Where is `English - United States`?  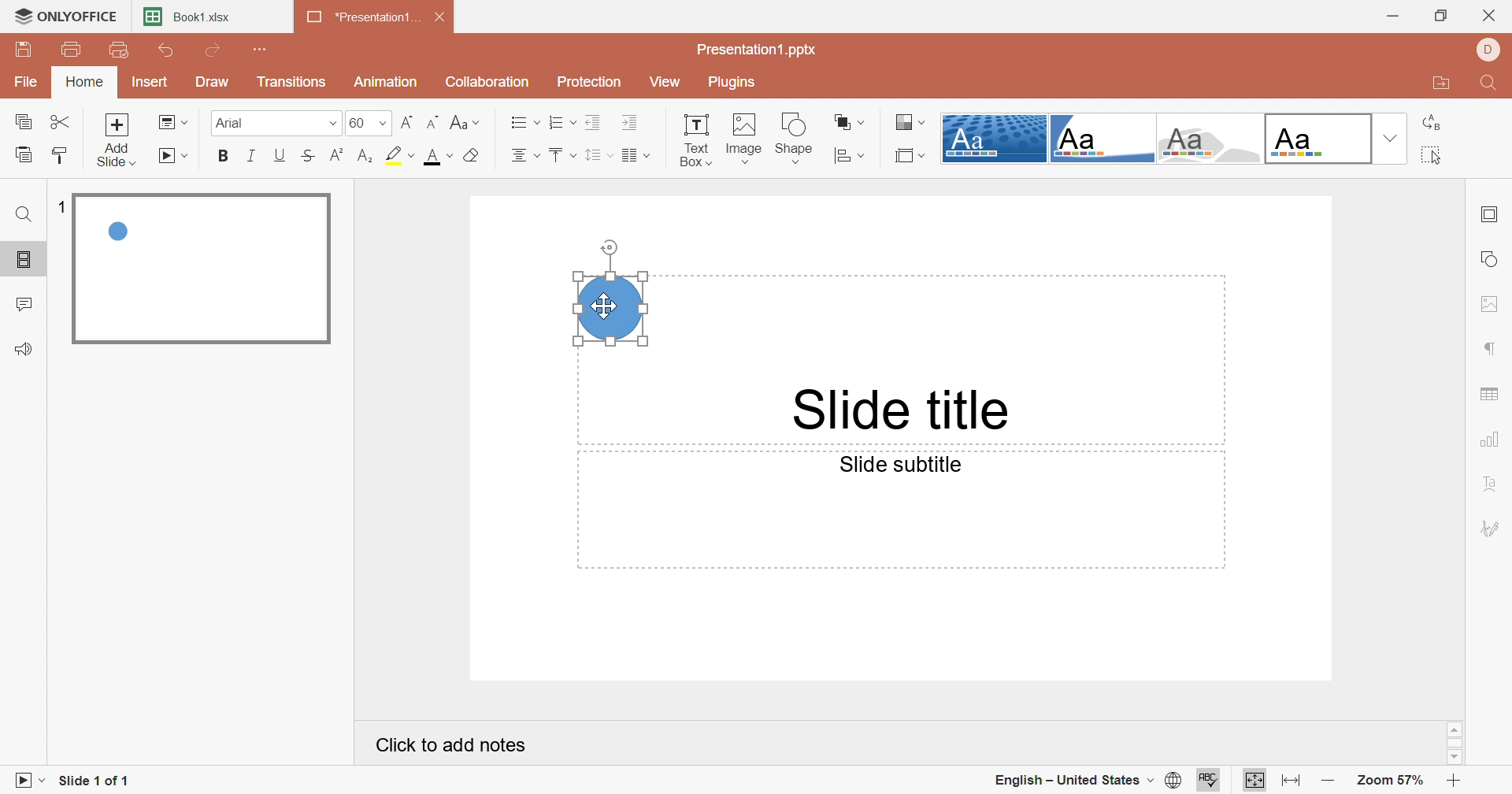 English - United States is located at coordinates (1073, 781).